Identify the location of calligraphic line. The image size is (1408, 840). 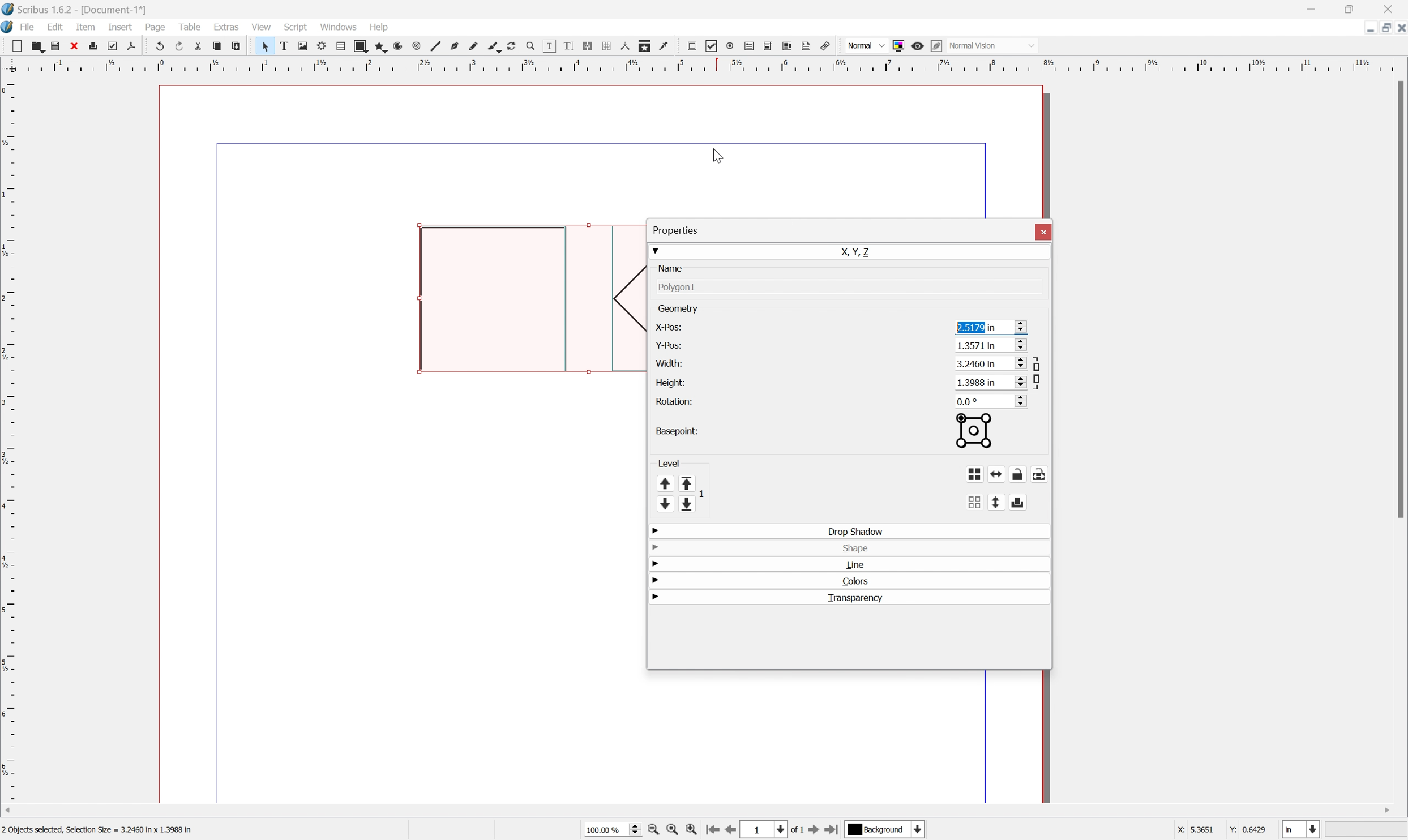
(490, 45).